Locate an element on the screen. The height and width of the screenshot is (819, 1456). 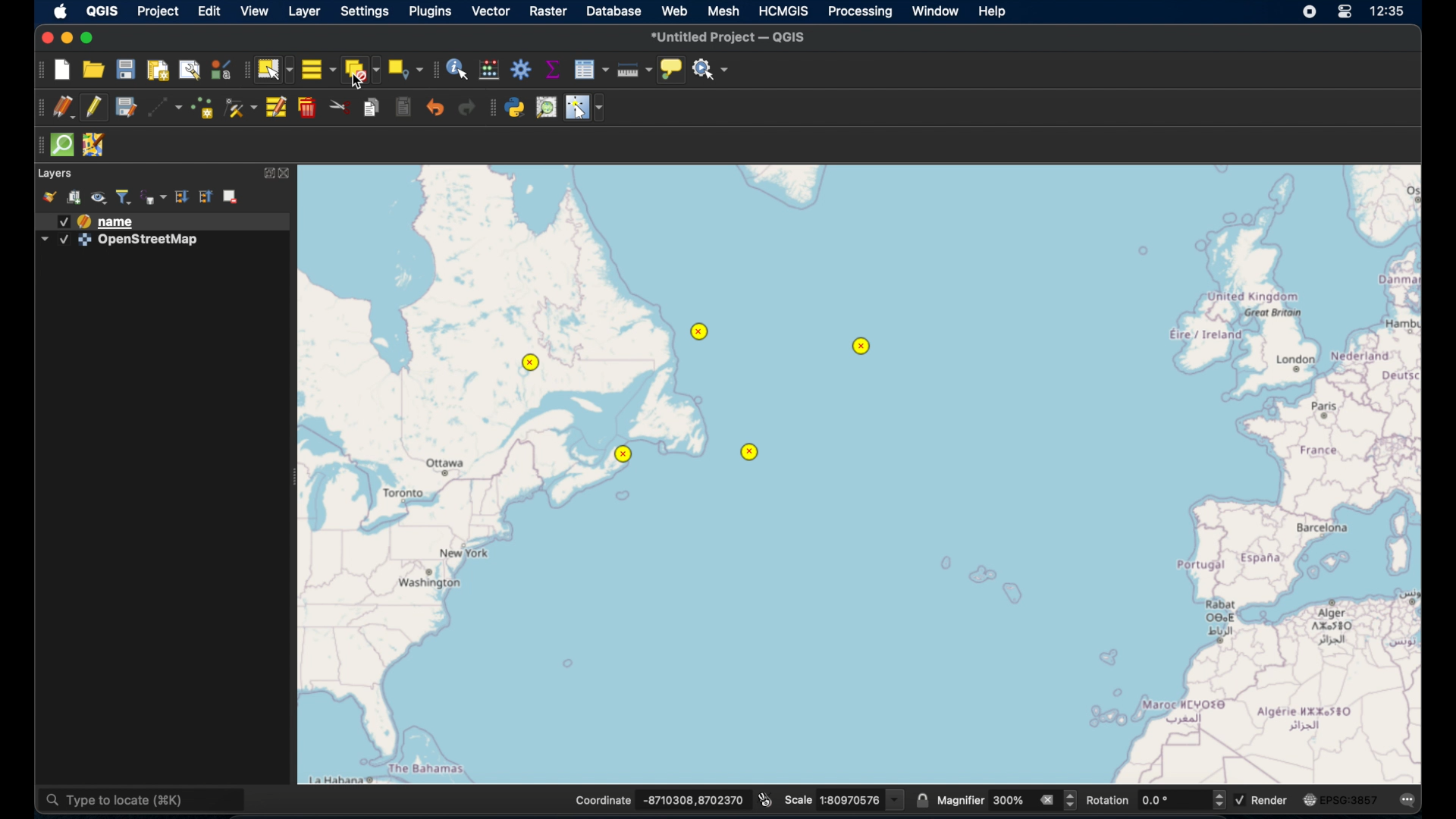
Coordinate value is located at coordinates (695, 799).